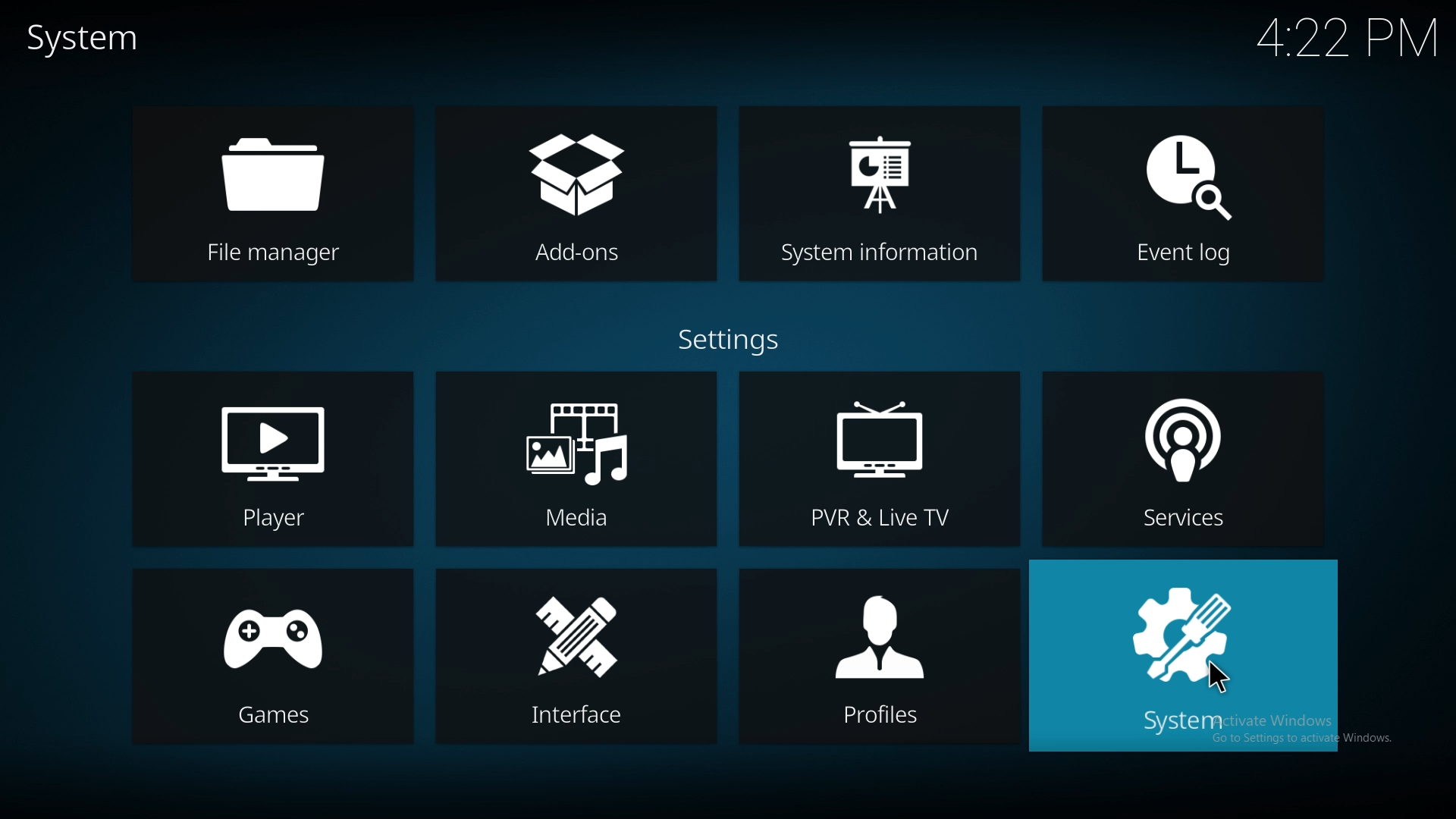  What do you see at coordinates (1184, 459) in the screenshot?
I see `services` at bounding box center [1184, 459].